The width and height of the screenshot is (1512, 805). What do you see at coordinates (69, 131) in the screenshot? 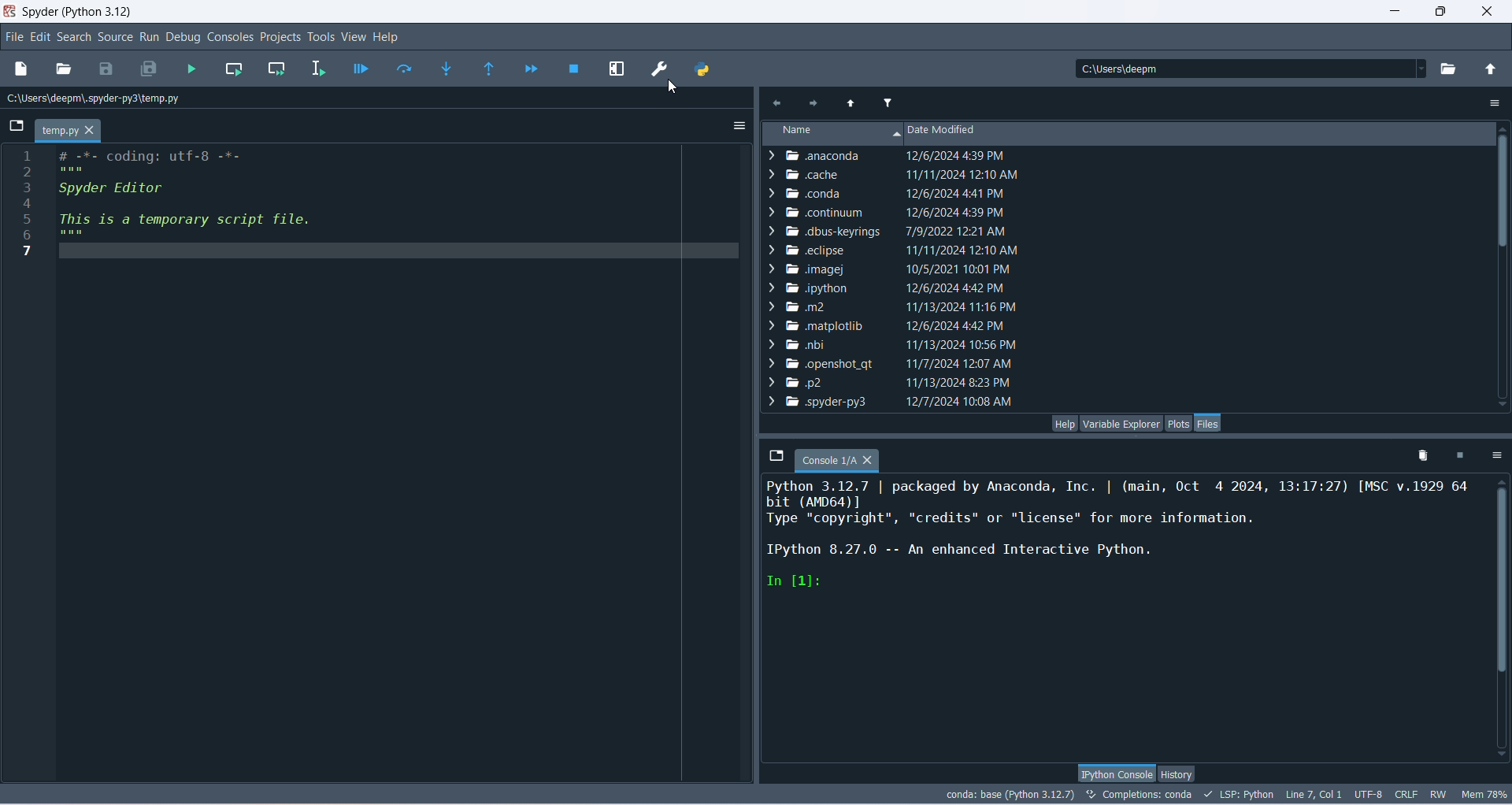
I see `temp.py` at bounding box center [69, 131].